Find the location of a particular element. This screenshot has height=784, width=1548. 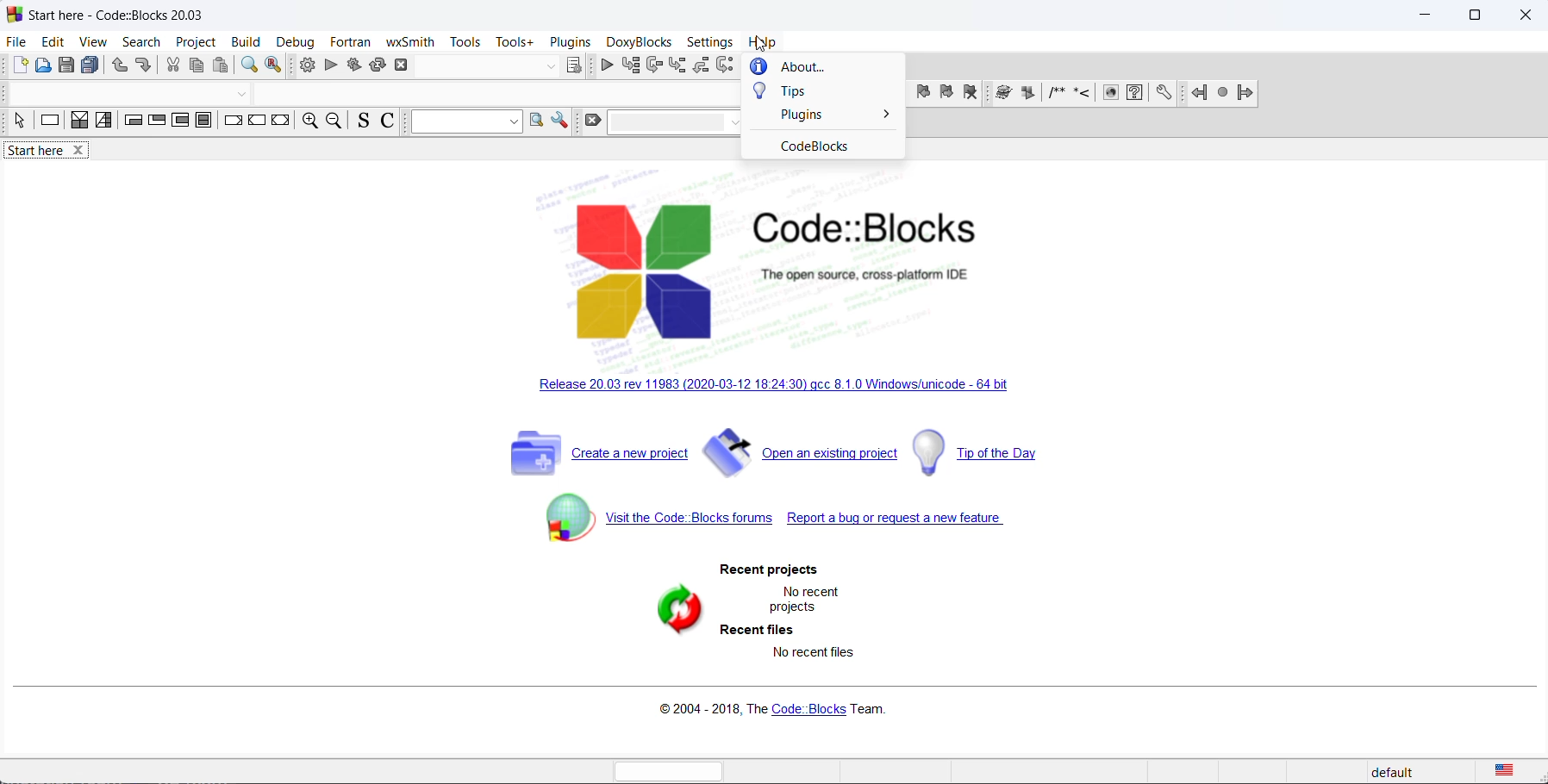

settings is located at coordinates (1164, 94).